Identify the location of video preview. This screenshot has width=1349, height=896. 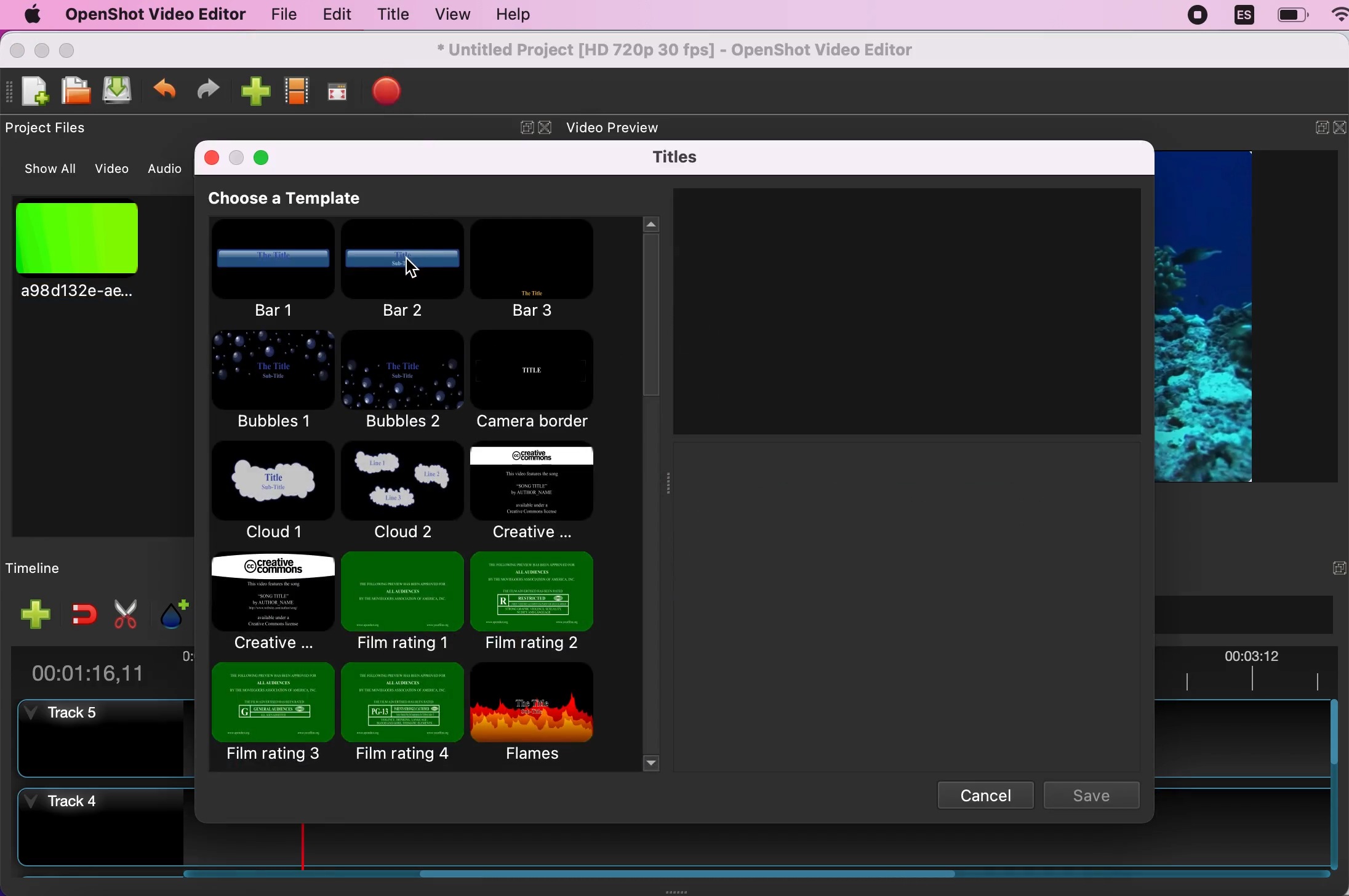
(623, 129).